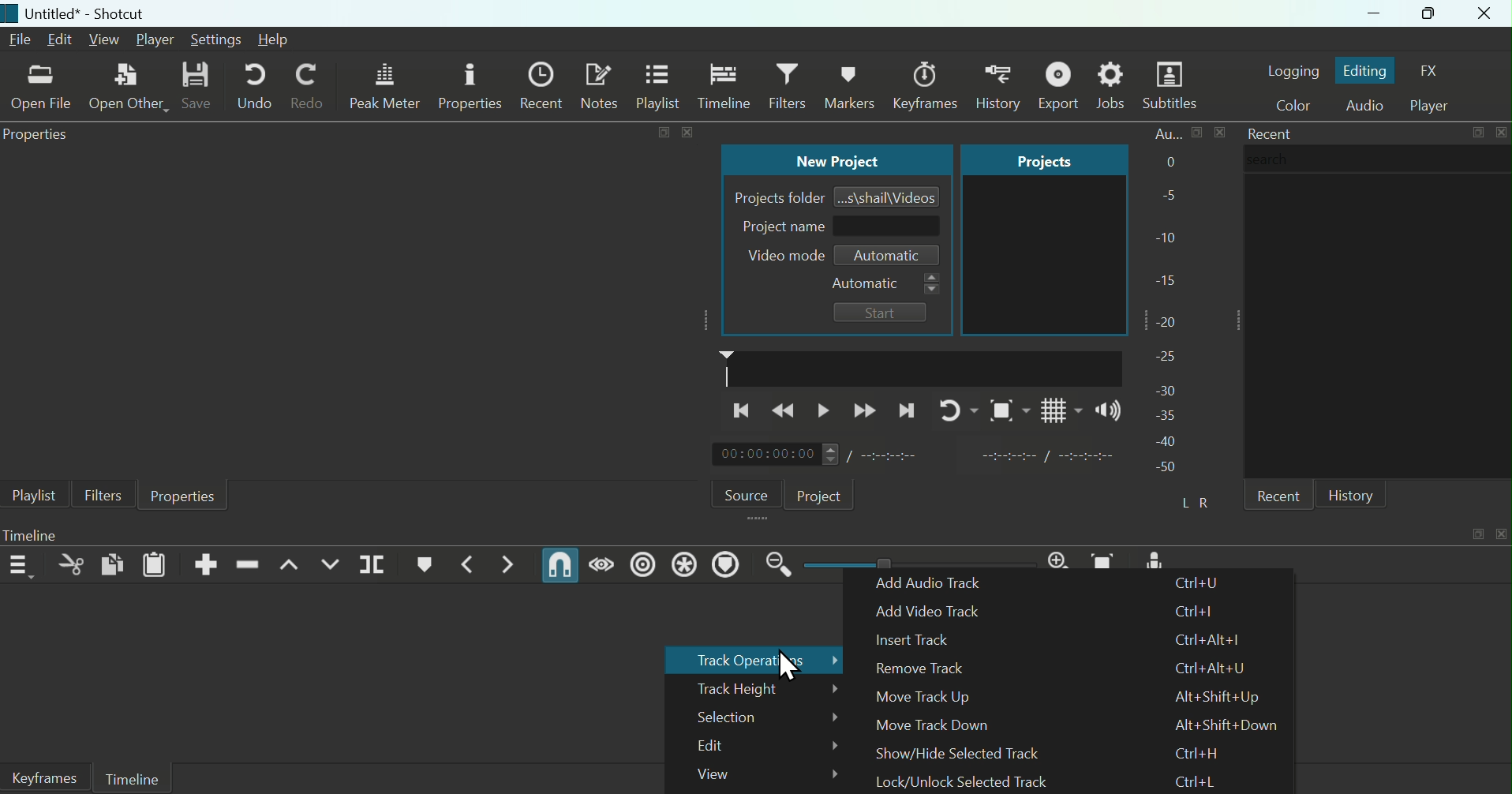  What do you see at coordinates (30, 495) in the screenshot?
I see `Playlist` at bounding box center [30, 495].